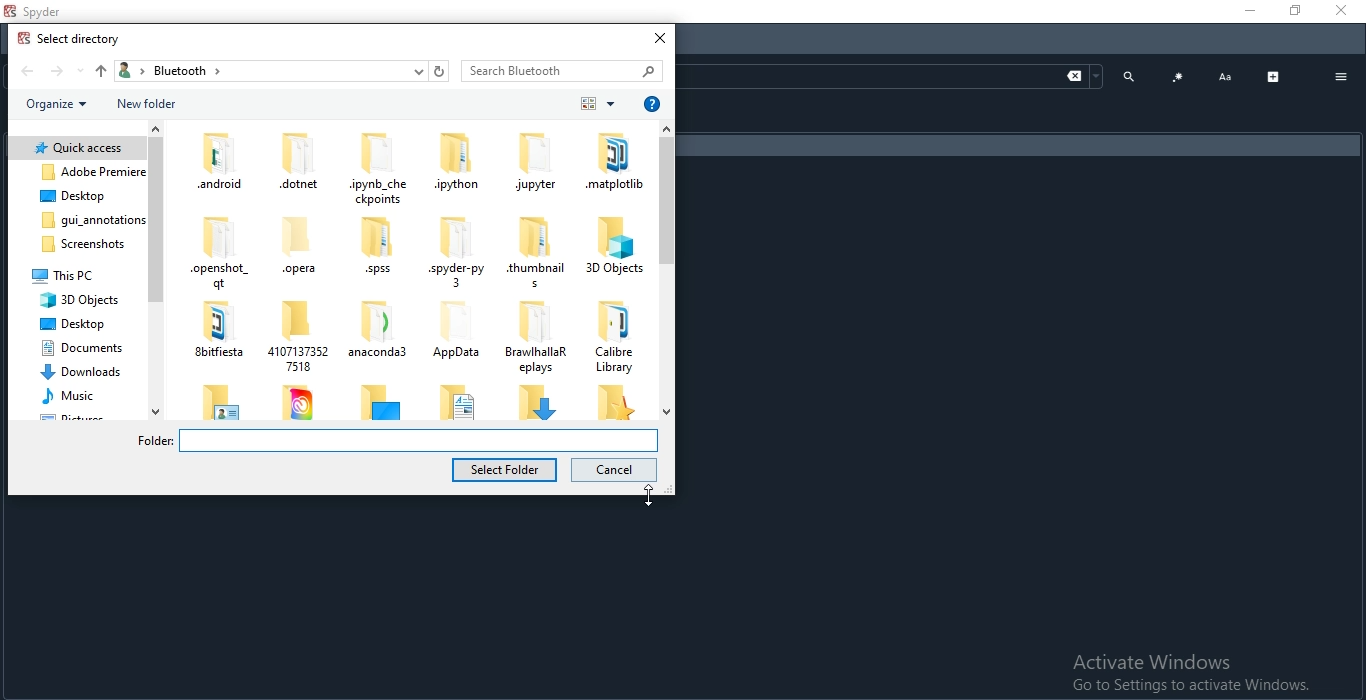  What do you see at coordinates (78, 300) in the screenshot?
I see `3d objects` at bounding box center [78, 300].